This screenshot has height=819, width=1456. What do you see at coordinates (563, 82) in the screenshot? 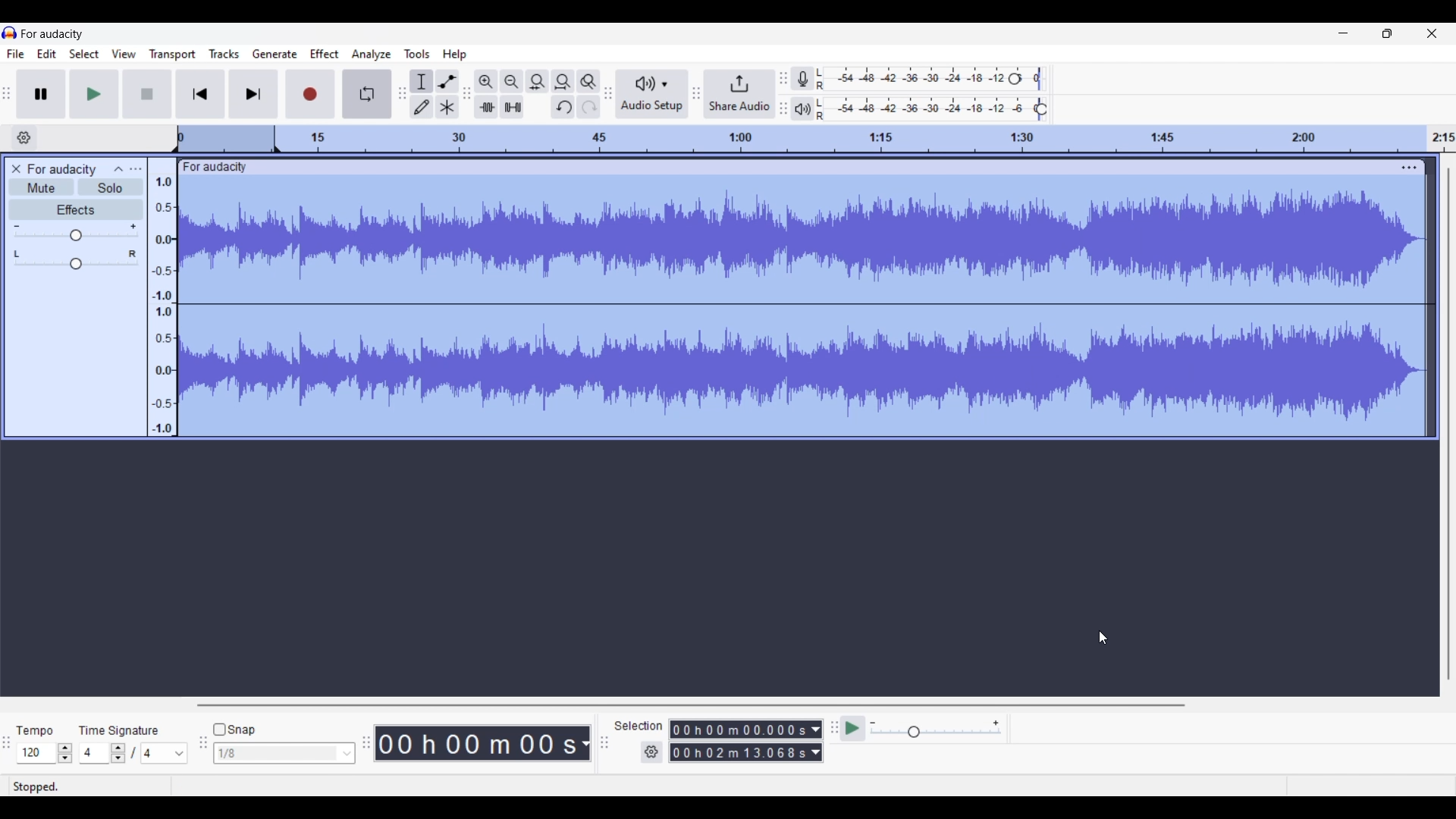
I see `Fit project to width` at bounding box center [563, 82].